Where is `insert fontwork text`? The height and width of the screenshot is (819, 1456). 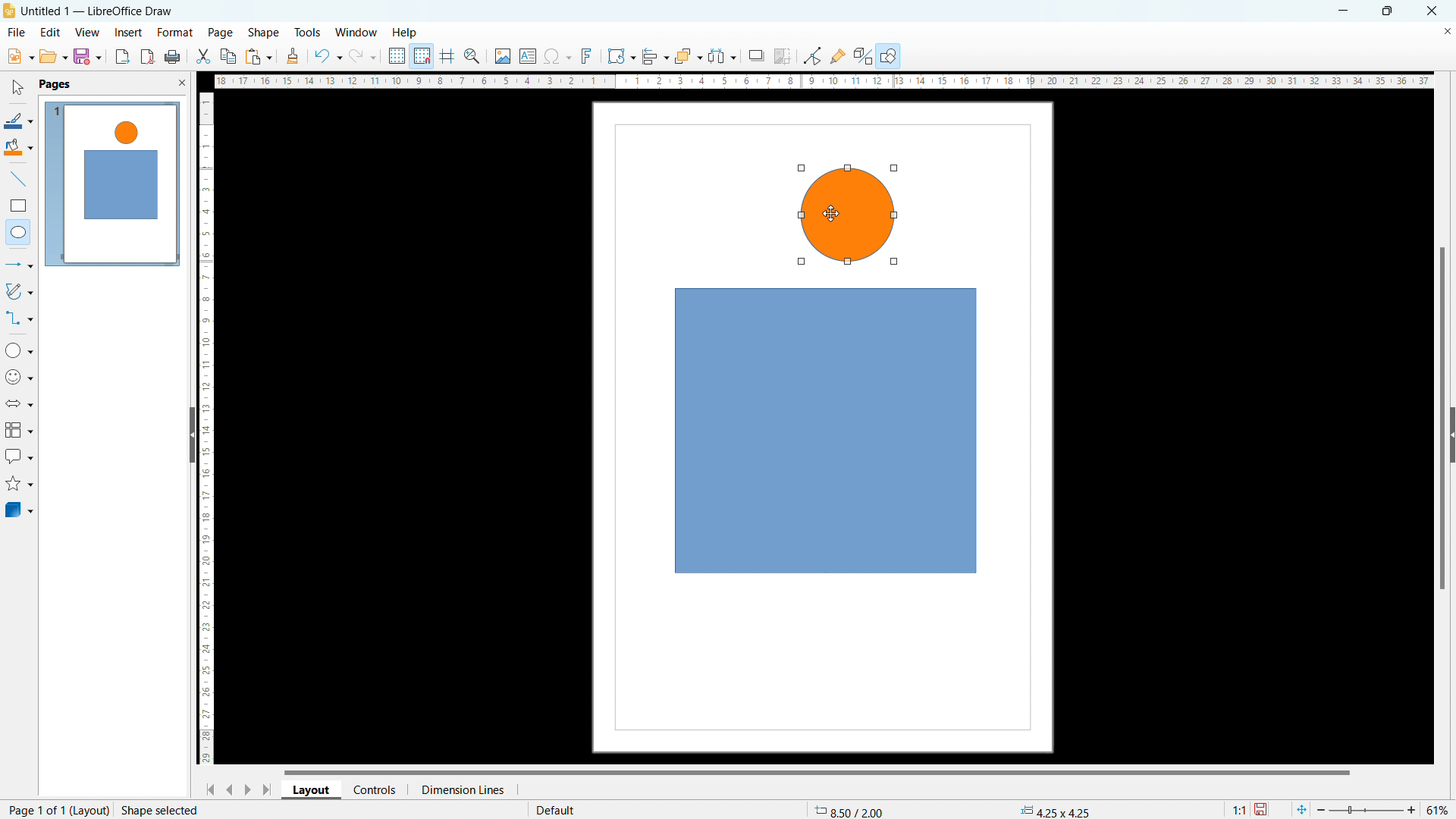 insert fontwork text is located at coordinates (587, 55).